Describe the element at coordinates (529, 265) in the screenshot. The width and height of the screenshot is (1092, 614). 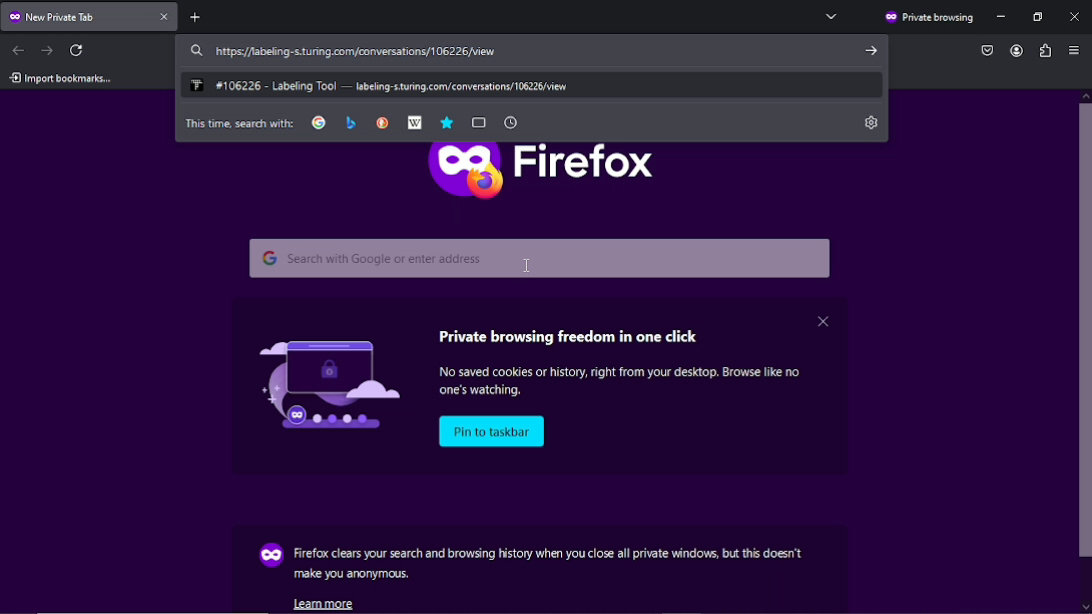
I see `cursor` at that location.